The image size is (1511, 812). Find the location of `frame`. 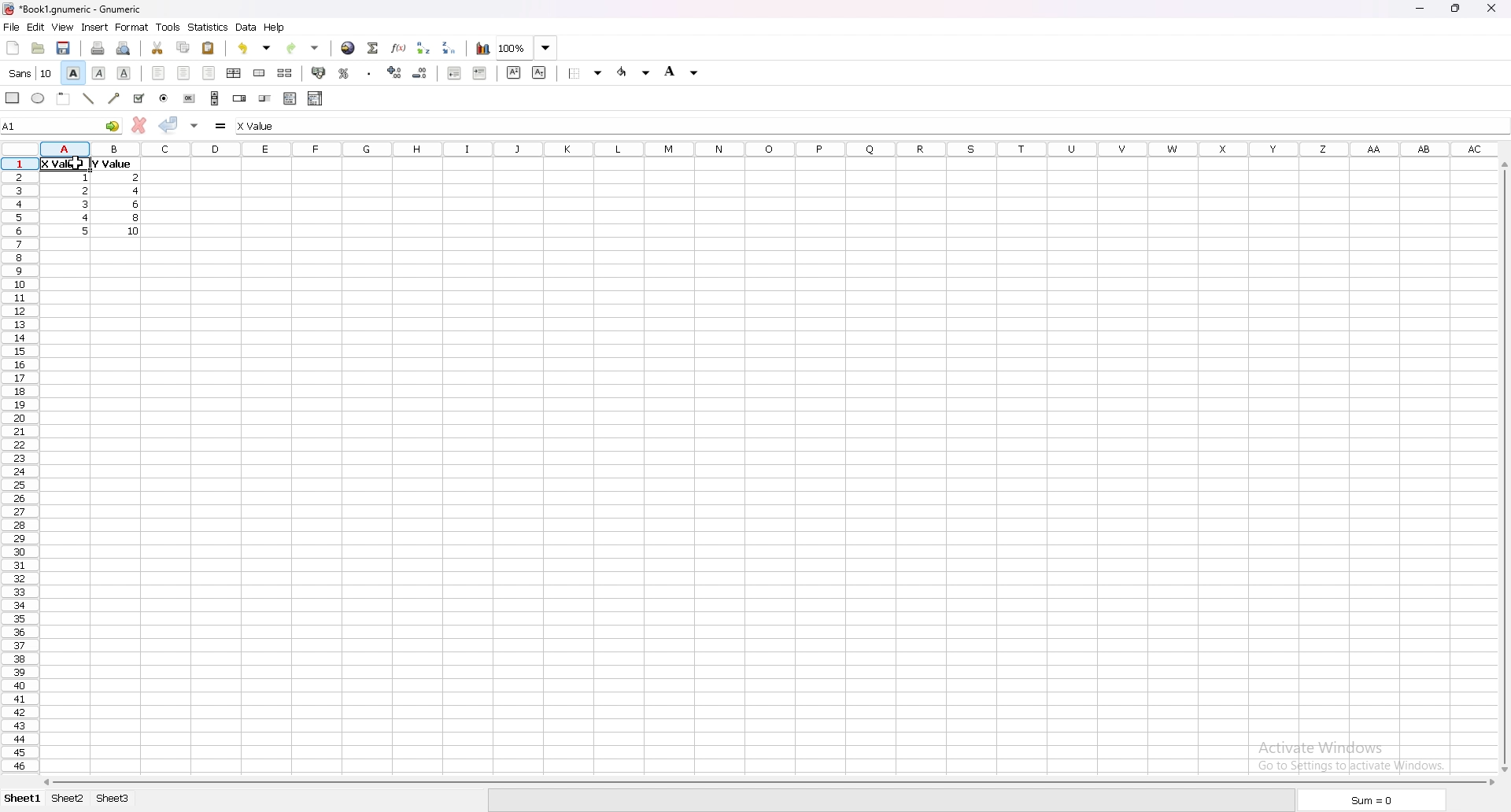

frame is located at coordinates (64, 98).